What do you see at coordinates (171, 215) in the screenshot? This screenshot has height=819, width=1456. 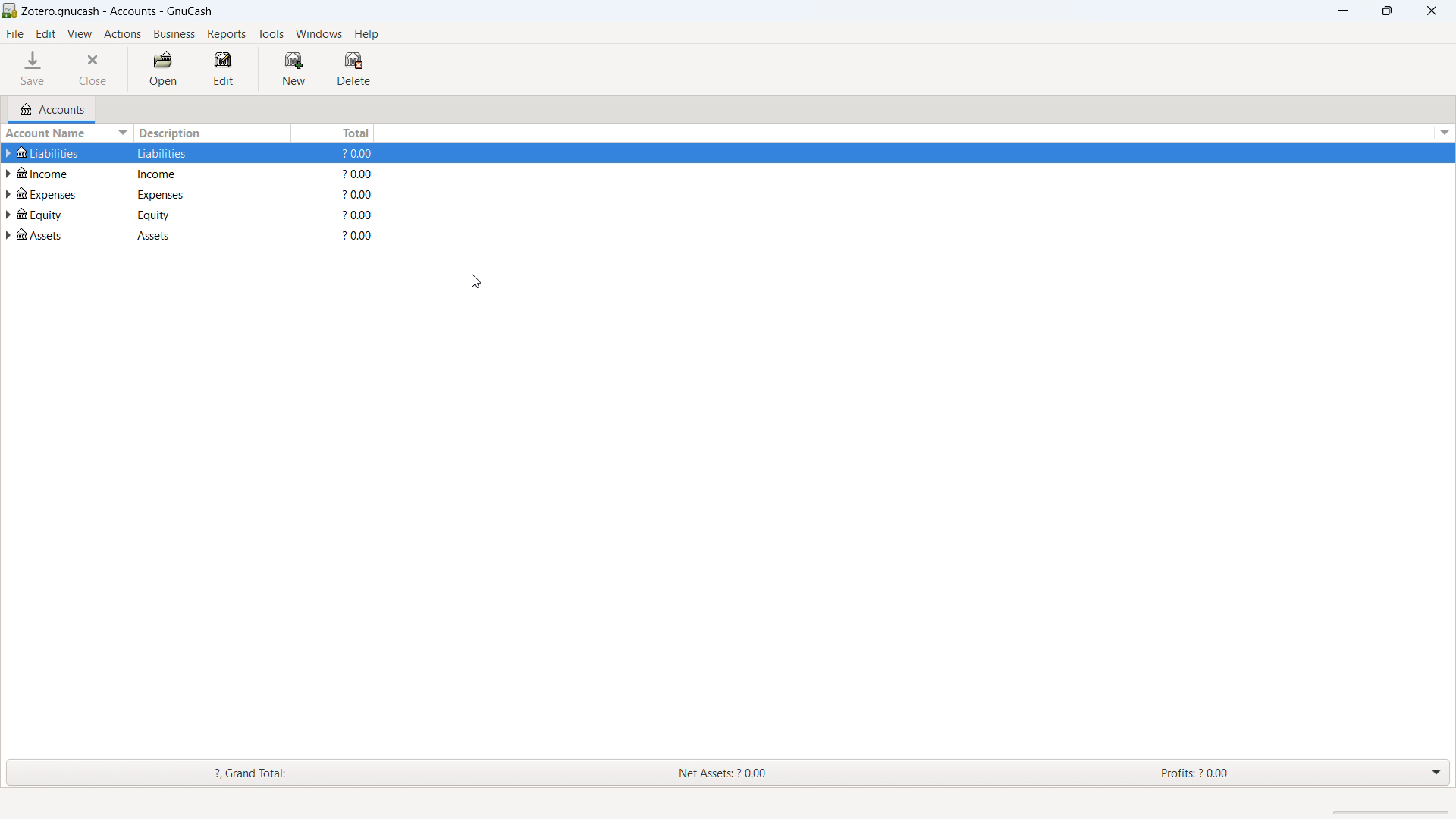 I see `equity` at bounding box center [171, 215].